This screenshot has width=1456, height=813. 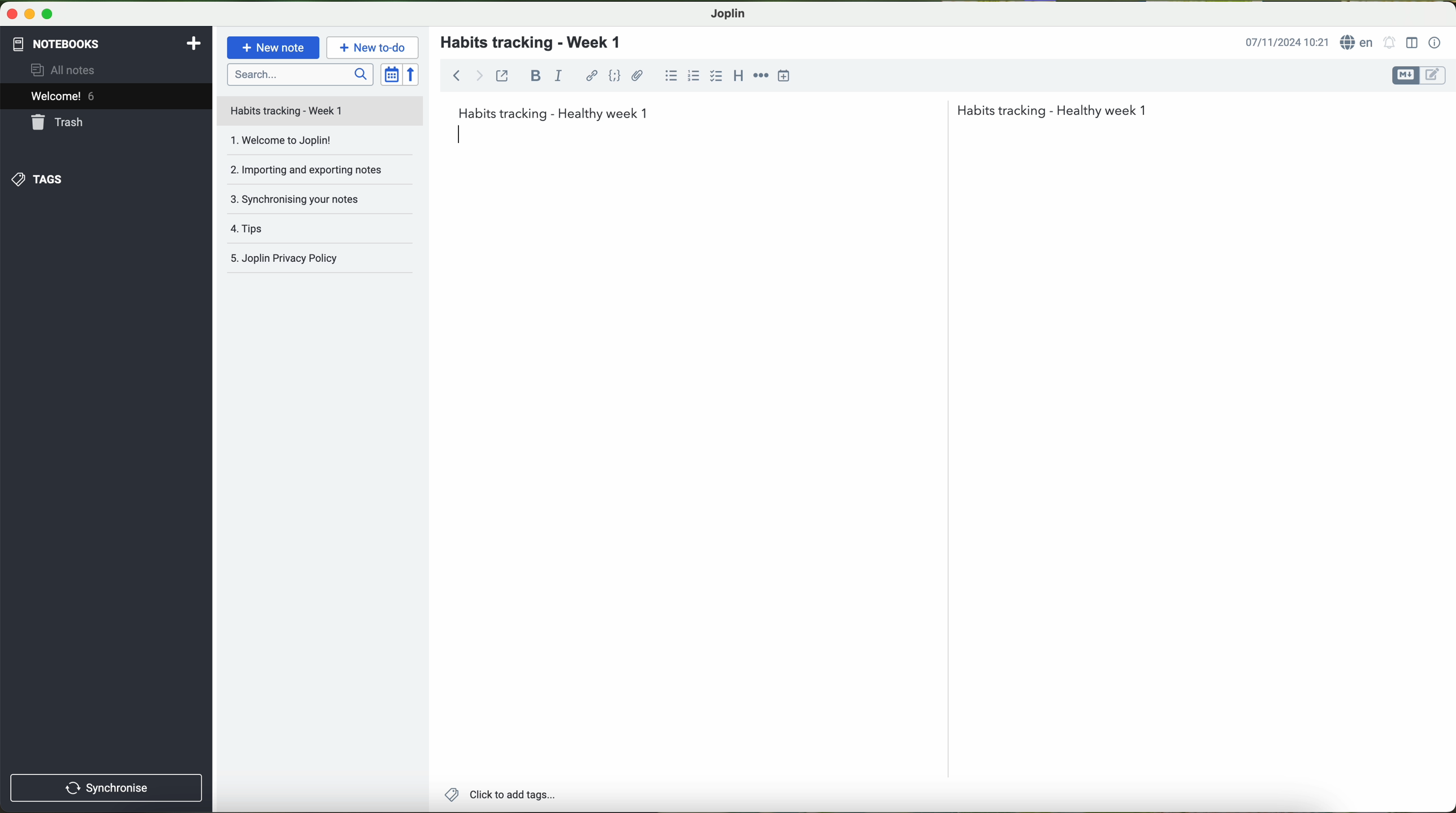 What do you see at coordinates (1287, 41) in the screenshot?
I see `date and hour` at bounding box center [1287, 41].